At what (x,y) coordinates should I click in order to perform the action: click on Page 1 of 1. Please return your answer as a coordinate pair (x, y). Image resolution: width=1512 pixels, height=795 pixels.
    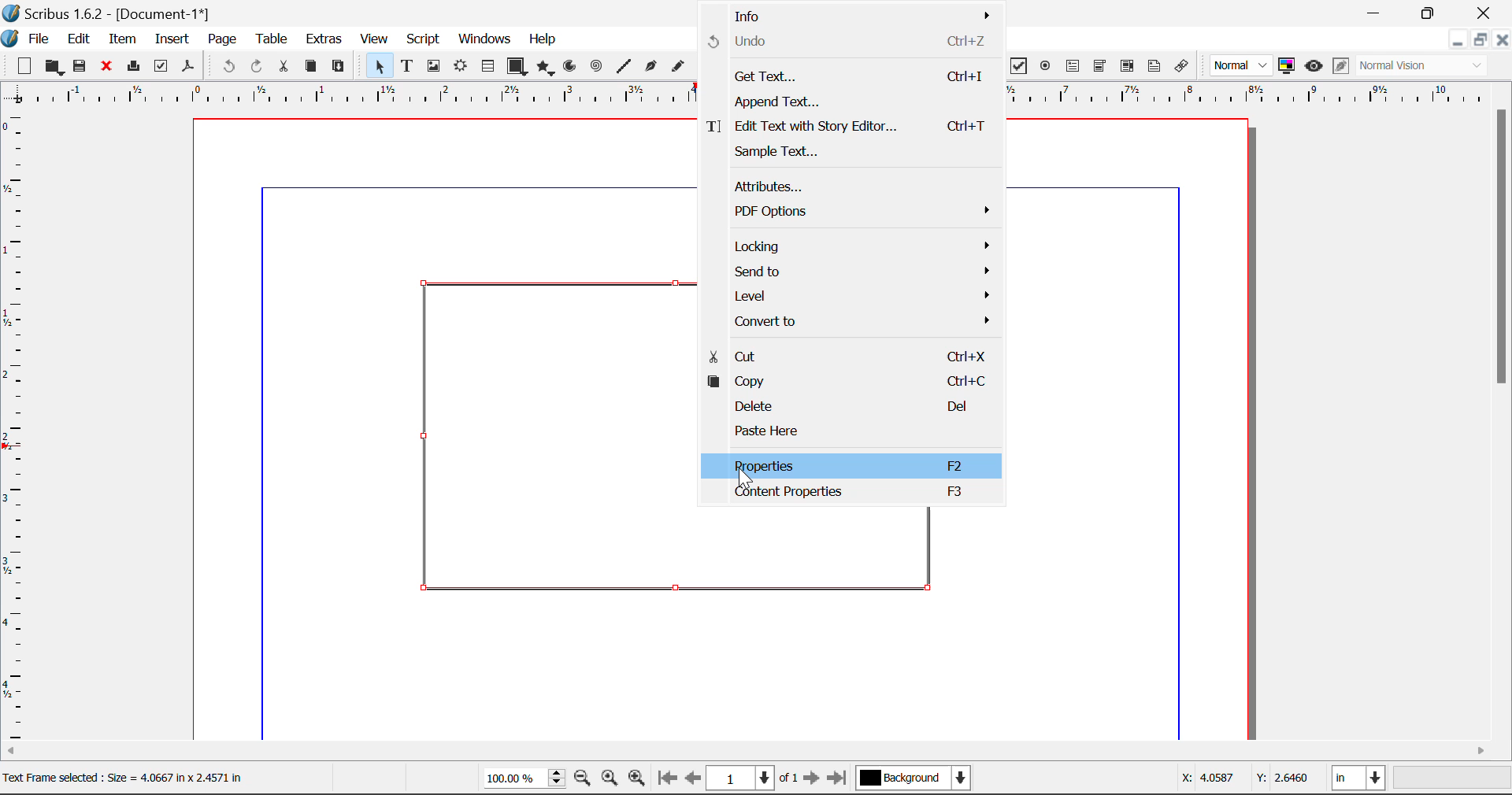
    Looking at the image, I should click on (754, 778).